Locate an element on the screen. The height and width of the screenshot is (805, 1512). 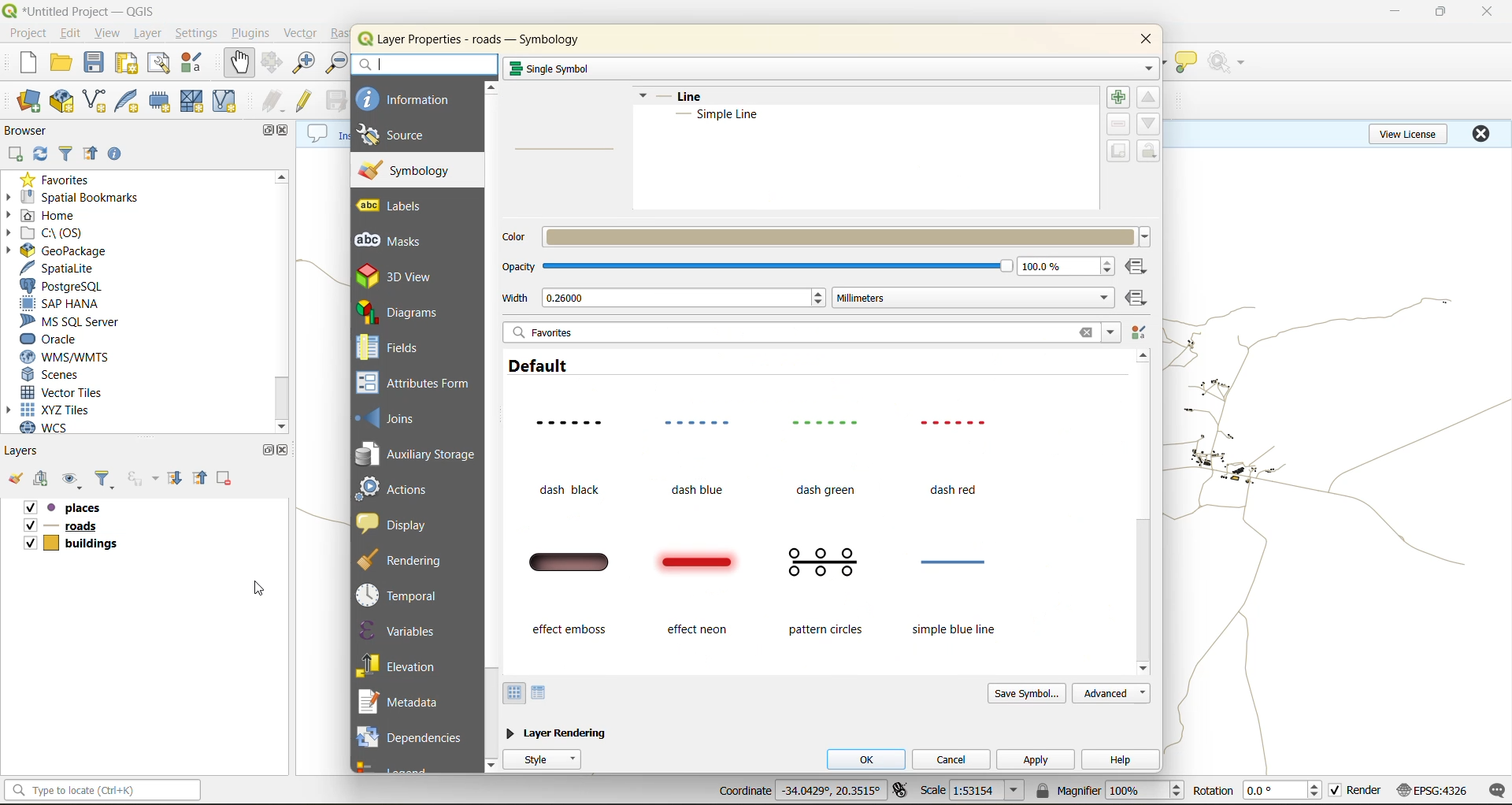
remove symbol layer is located at coordinates (1121, 125).